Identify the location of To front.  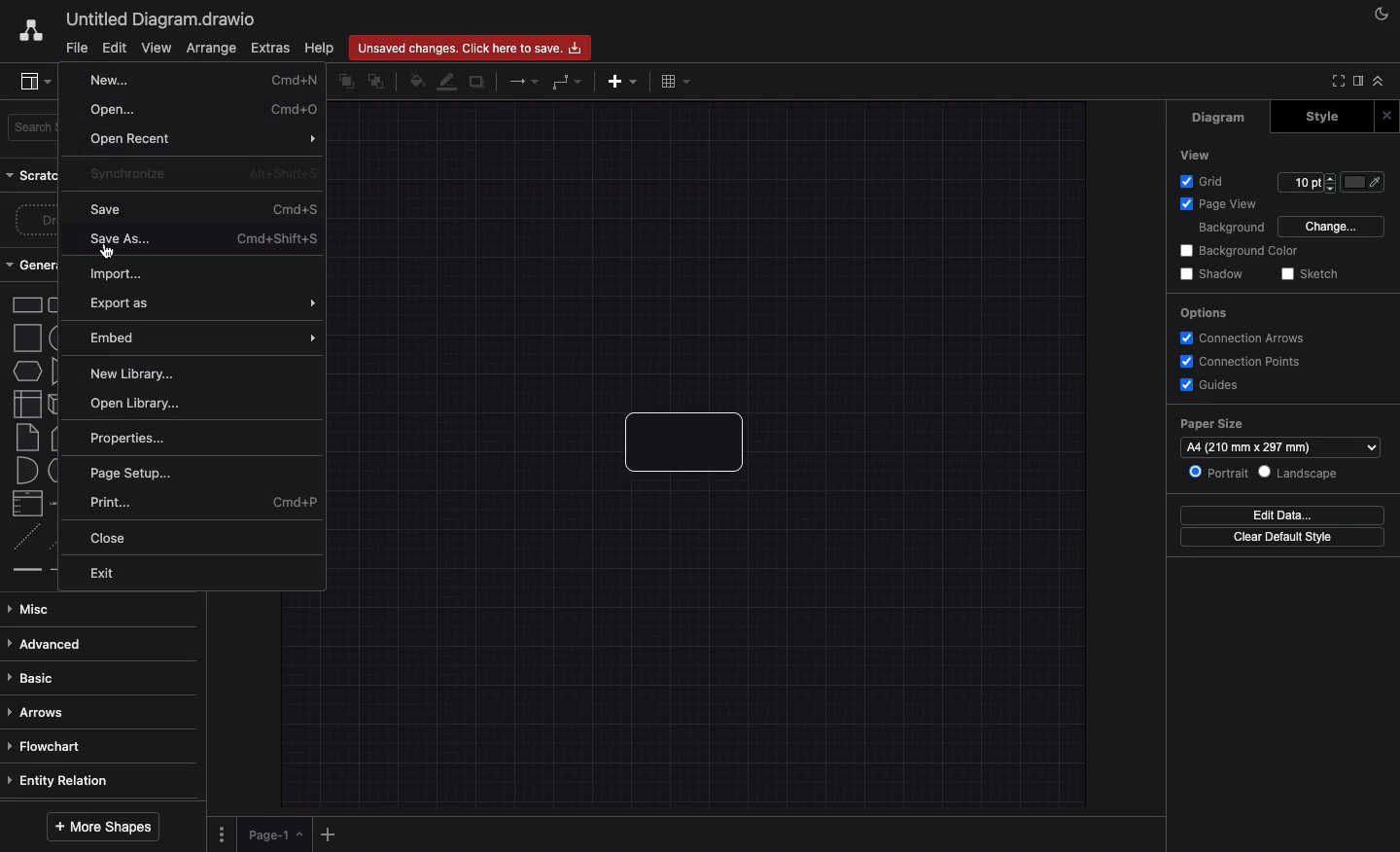
(344, 85).